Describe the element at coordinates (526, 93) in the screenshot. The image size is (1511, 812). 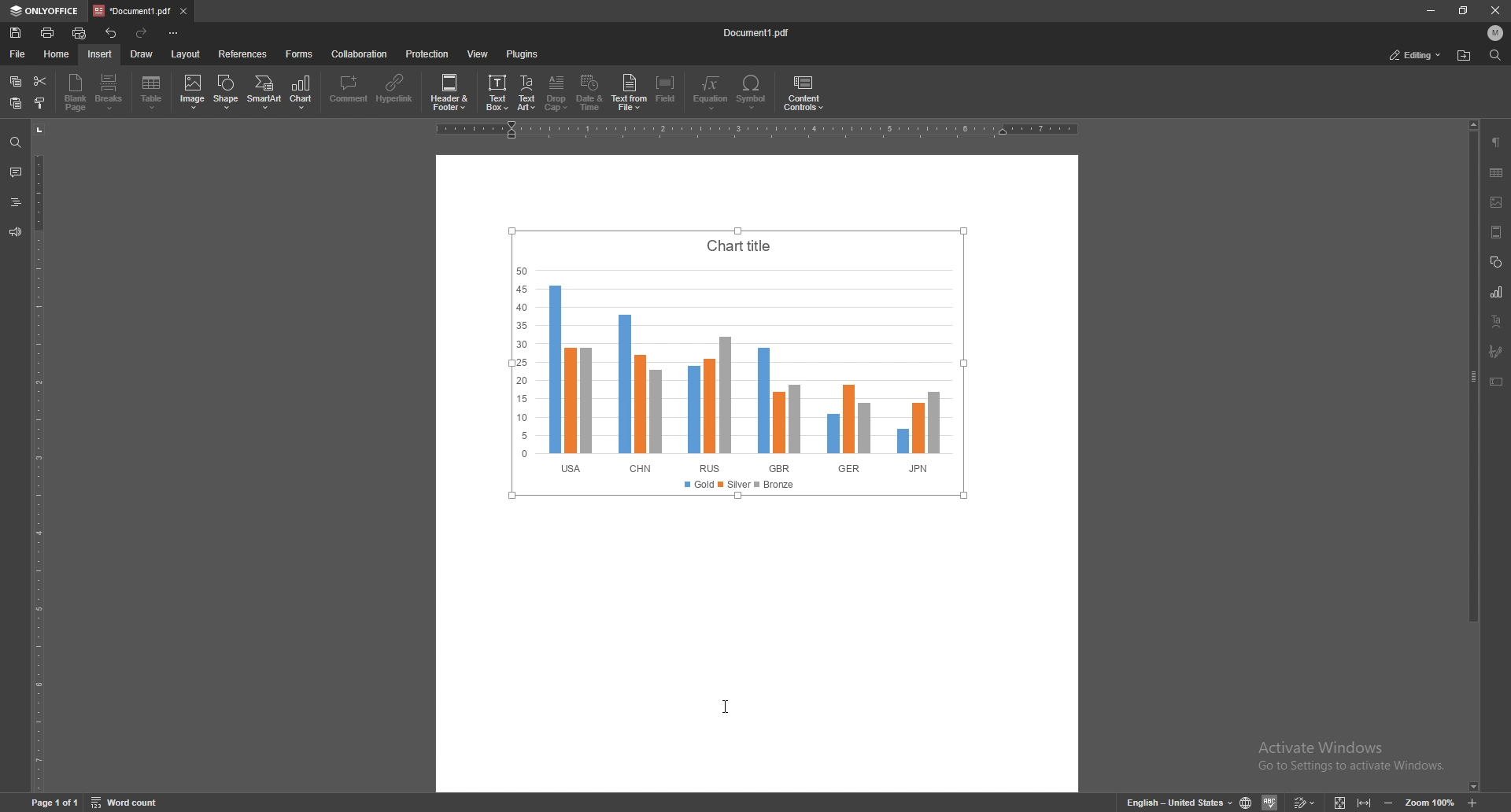
I see `text art` at that location.